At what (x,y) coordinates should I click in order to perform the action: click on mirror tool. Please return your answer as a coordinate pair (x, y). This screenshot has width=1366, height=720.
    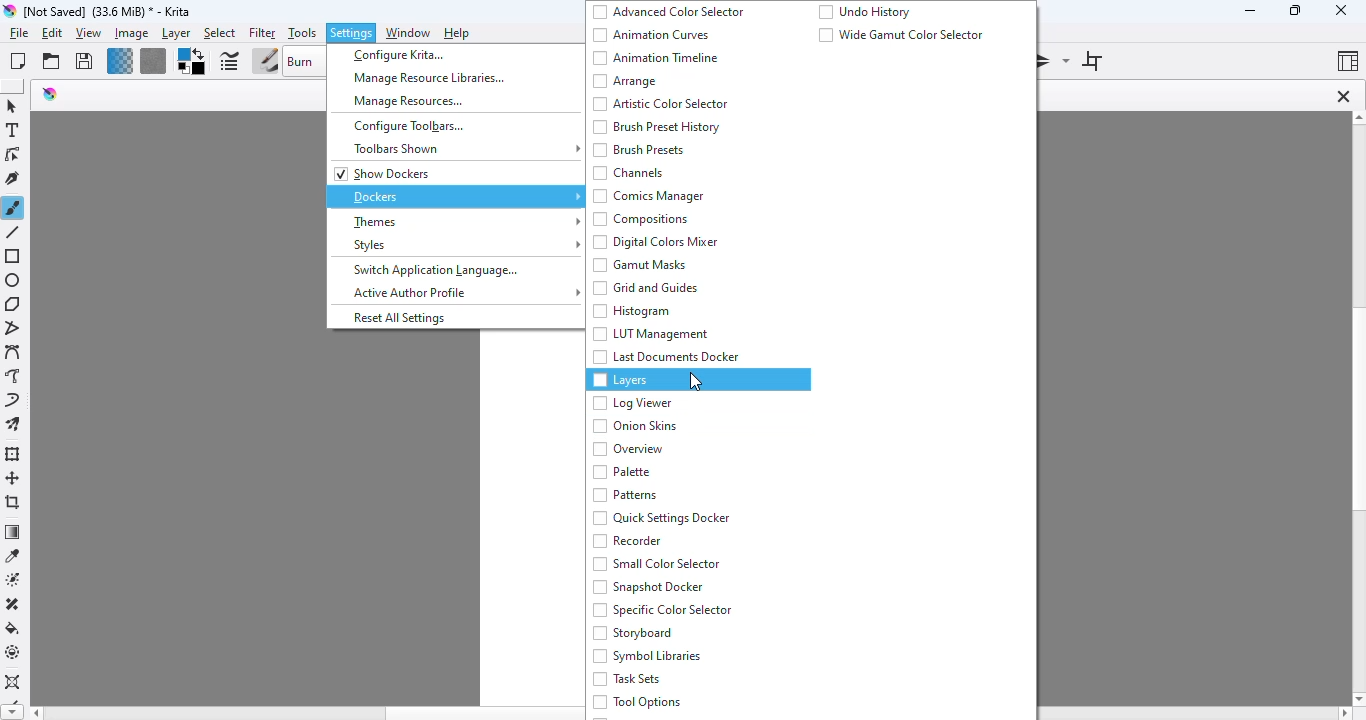
    Looking at the image, I should click on (1054, 60).